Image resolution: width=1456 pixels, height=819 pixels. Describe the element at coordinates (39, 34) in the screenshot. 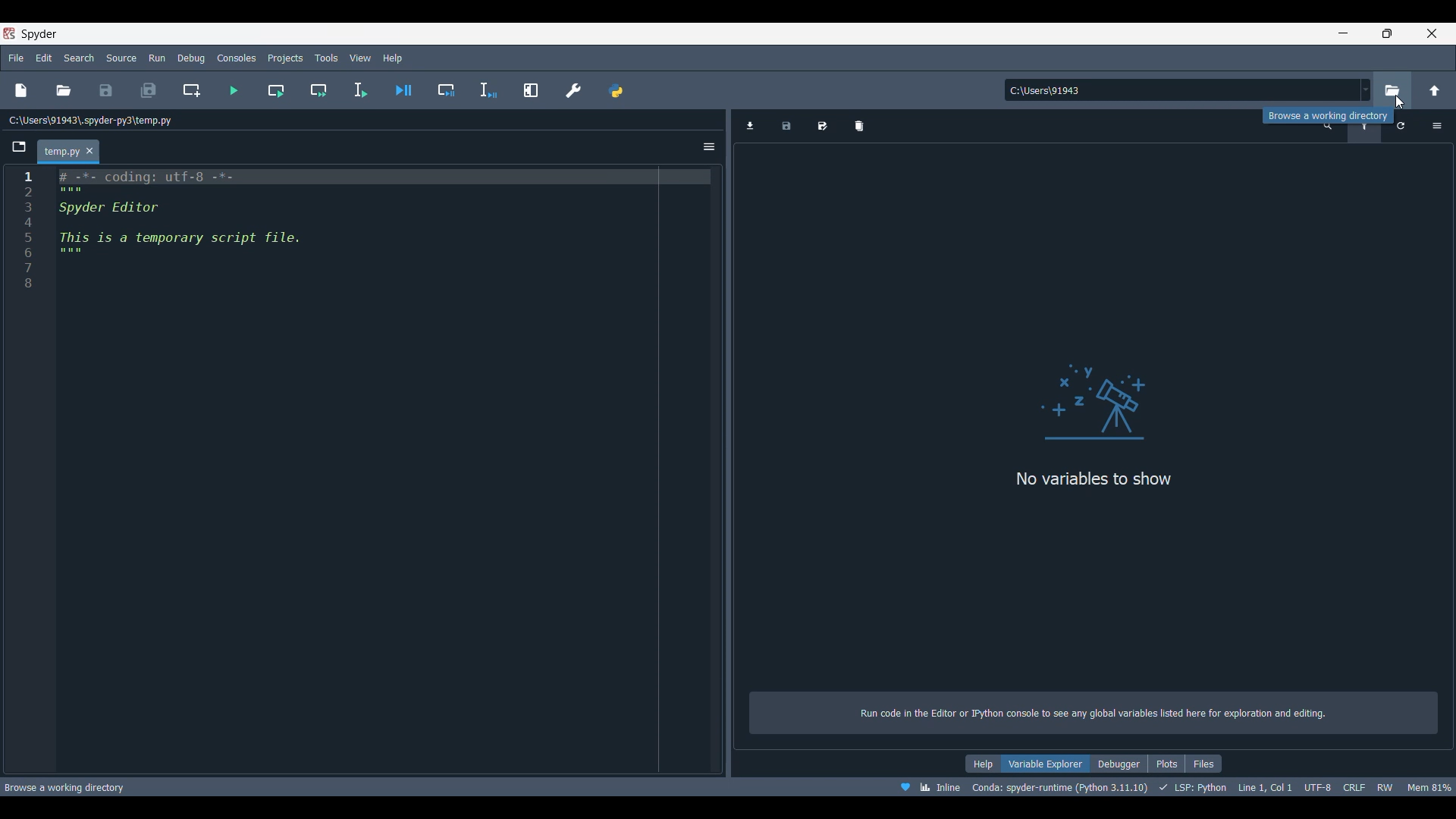

I see `Software name` at that location.